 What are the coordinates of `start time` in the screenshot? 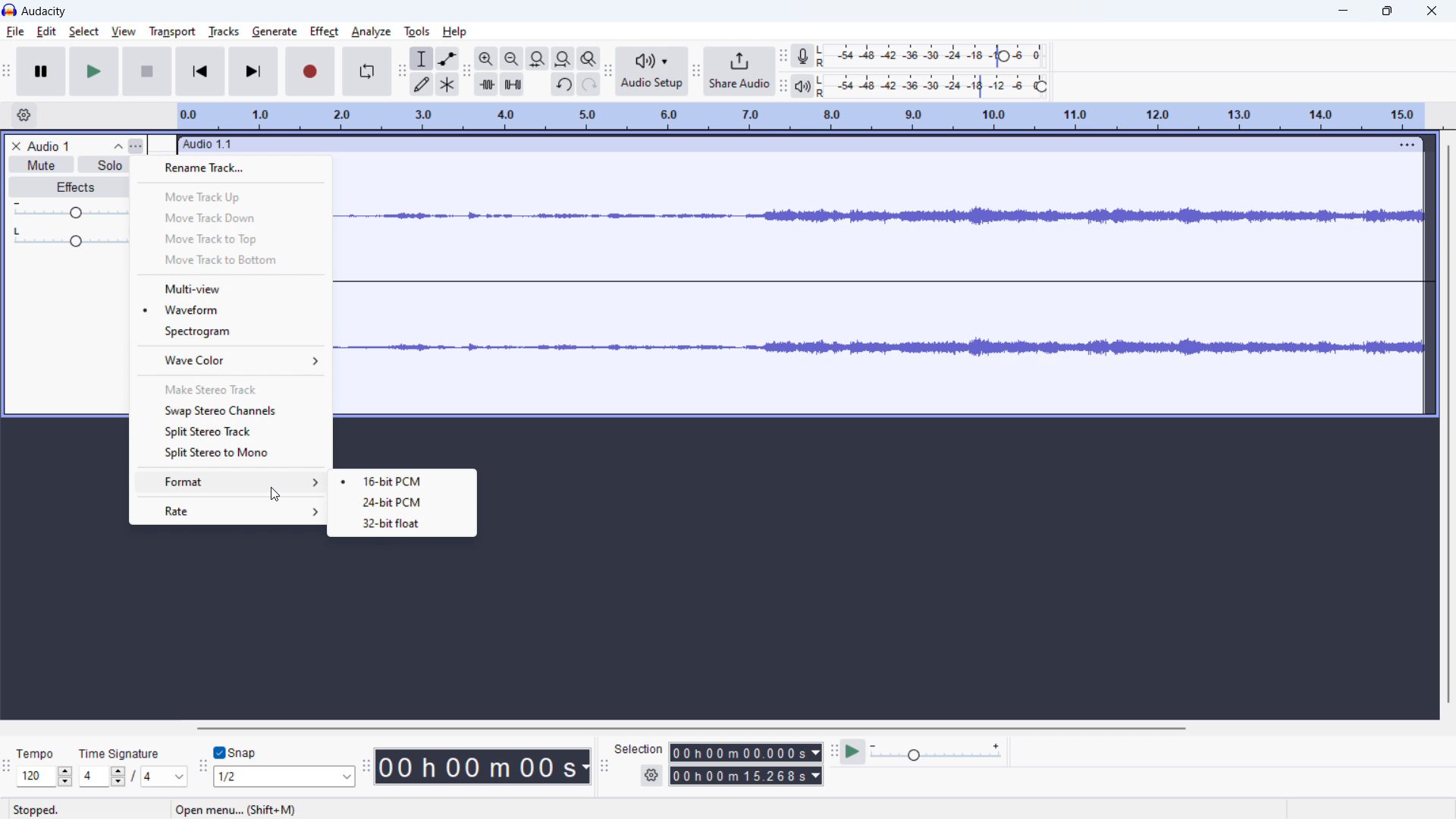 It's located at (746, 752).